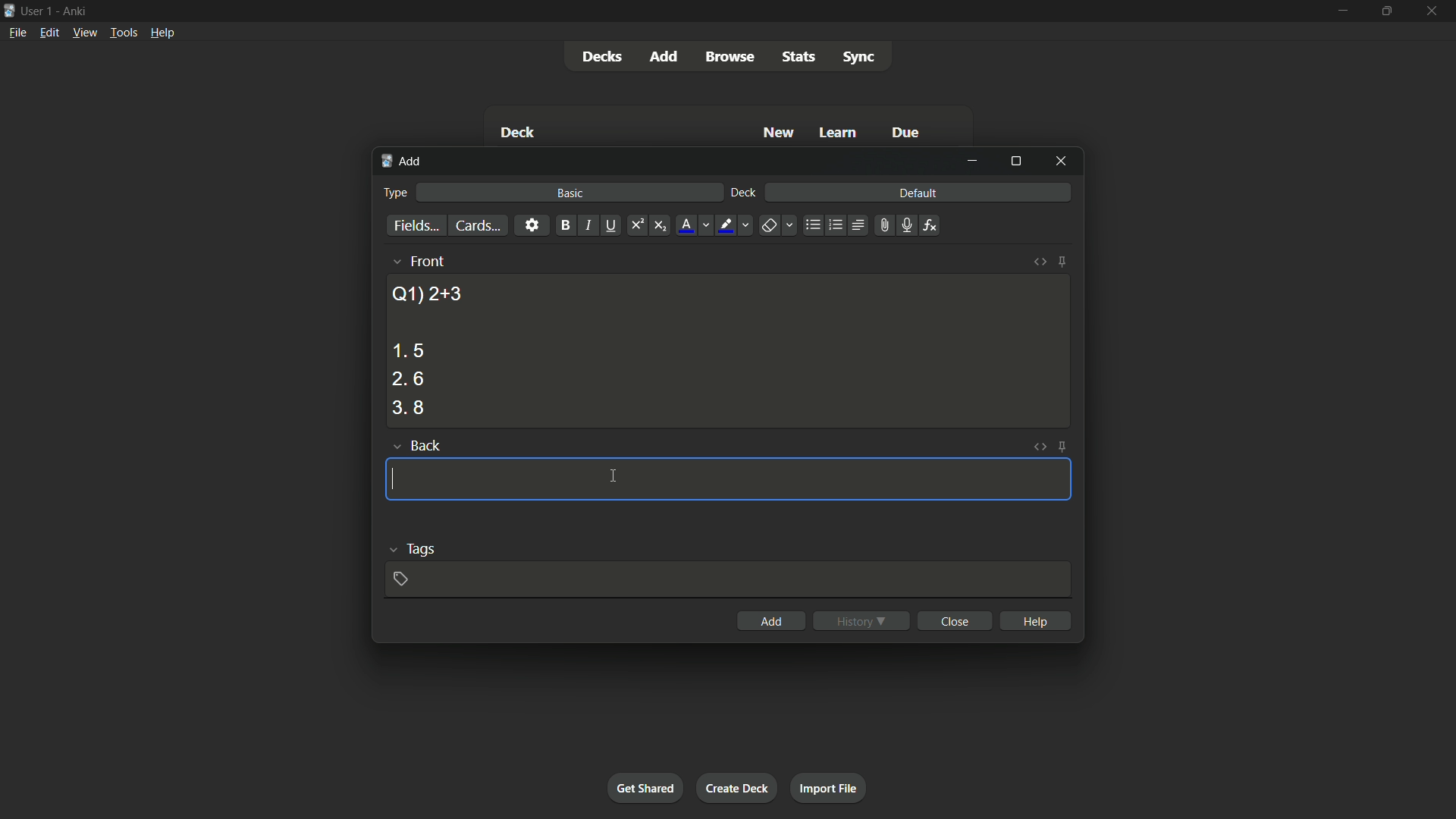 Image resolution: width=1456 pixels, height=819 pixels. I want to click on bold, so click(565, 226).